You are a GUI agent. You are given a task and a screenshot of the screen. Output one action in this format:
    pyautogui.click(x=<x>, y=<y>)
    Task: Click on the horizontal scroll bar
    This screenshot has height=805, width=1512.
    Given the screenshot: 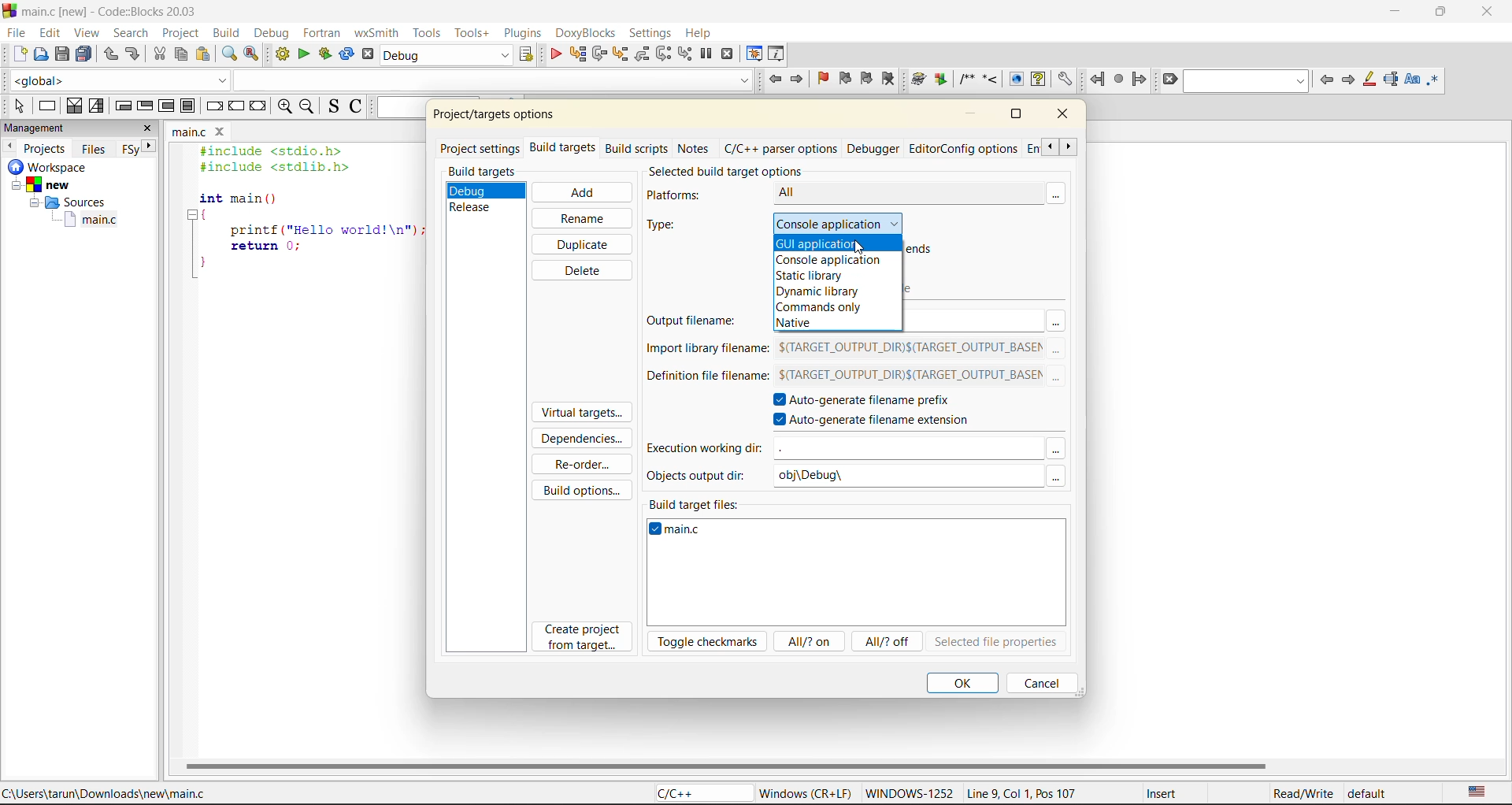 What is the action you would take?
    pyautogui.click(x=725, y=766)
    